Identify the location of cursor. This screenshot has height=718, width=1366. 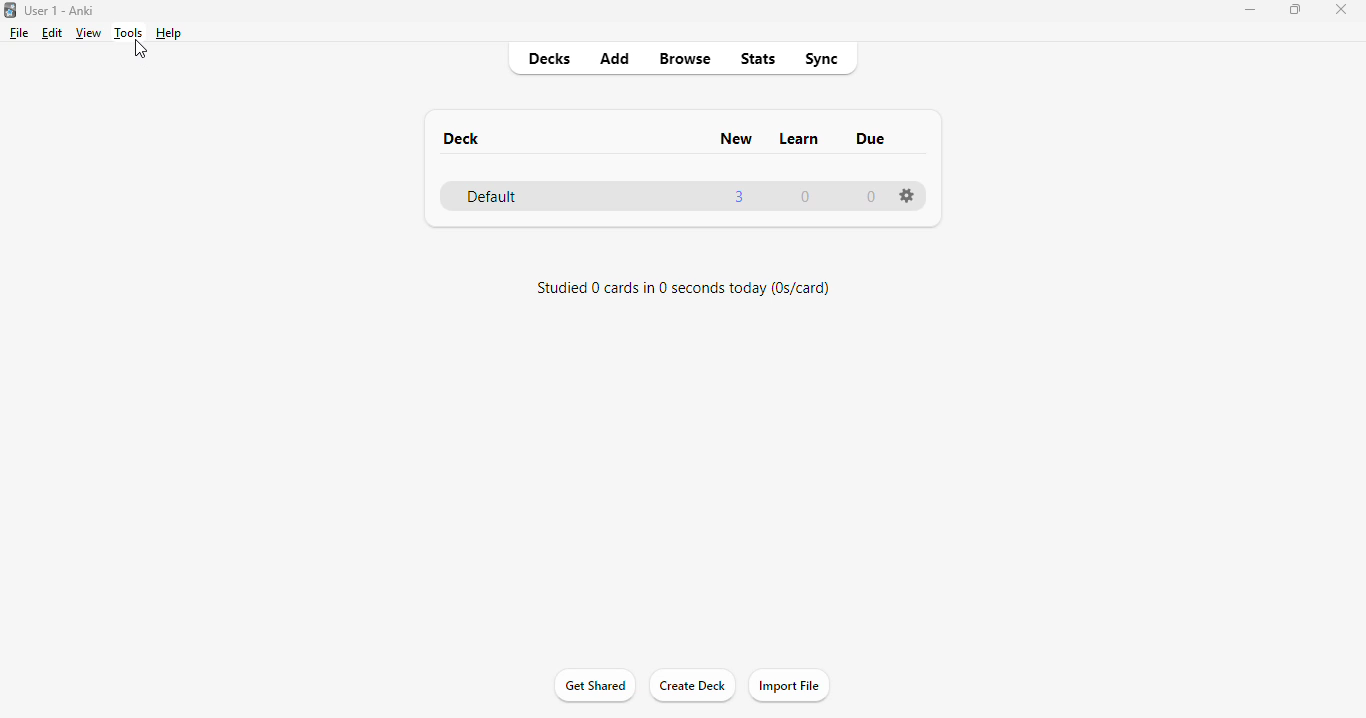
(141, 49).